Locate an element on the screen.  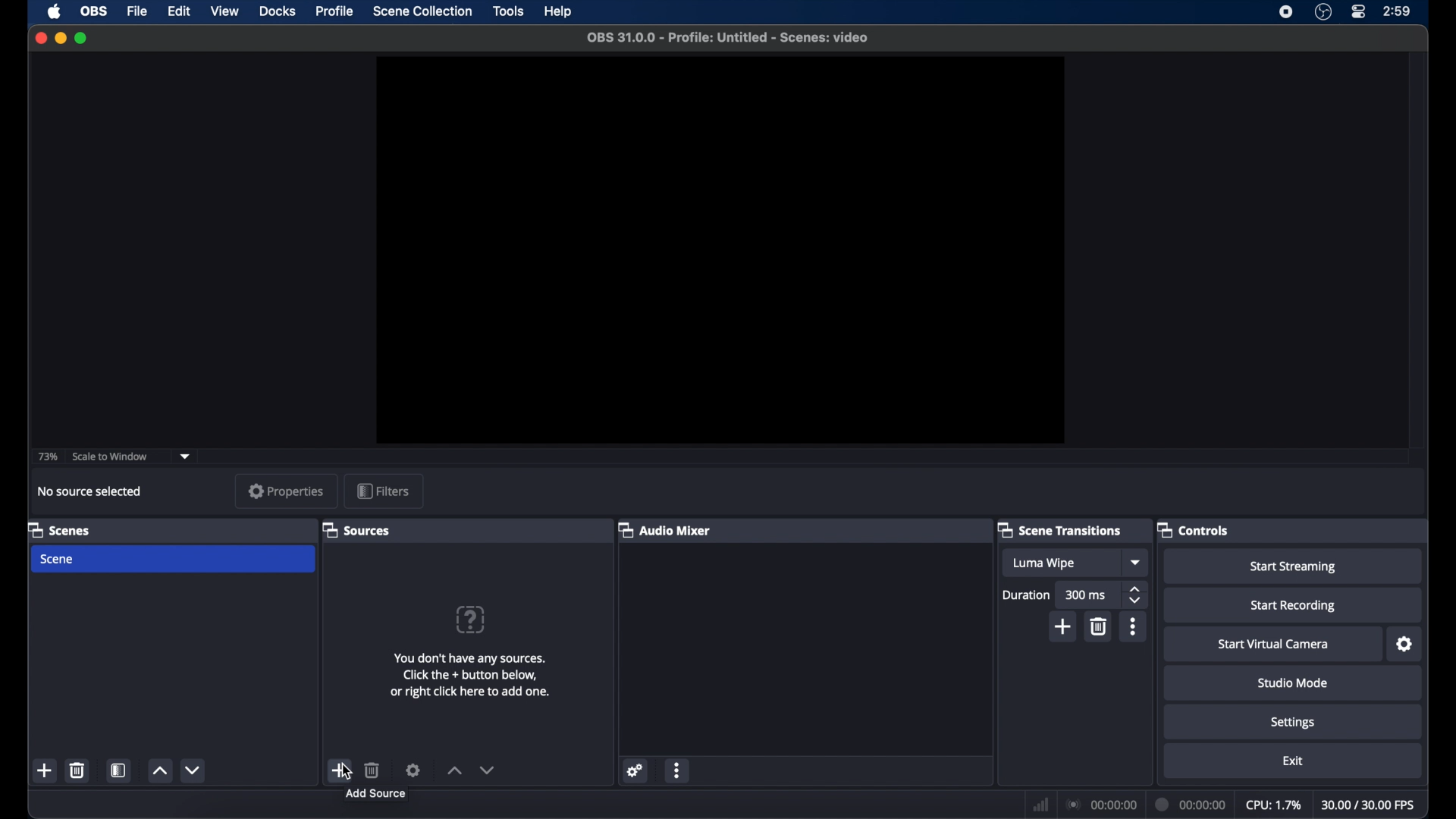
300 ms is located at coordinates (1087, 594).